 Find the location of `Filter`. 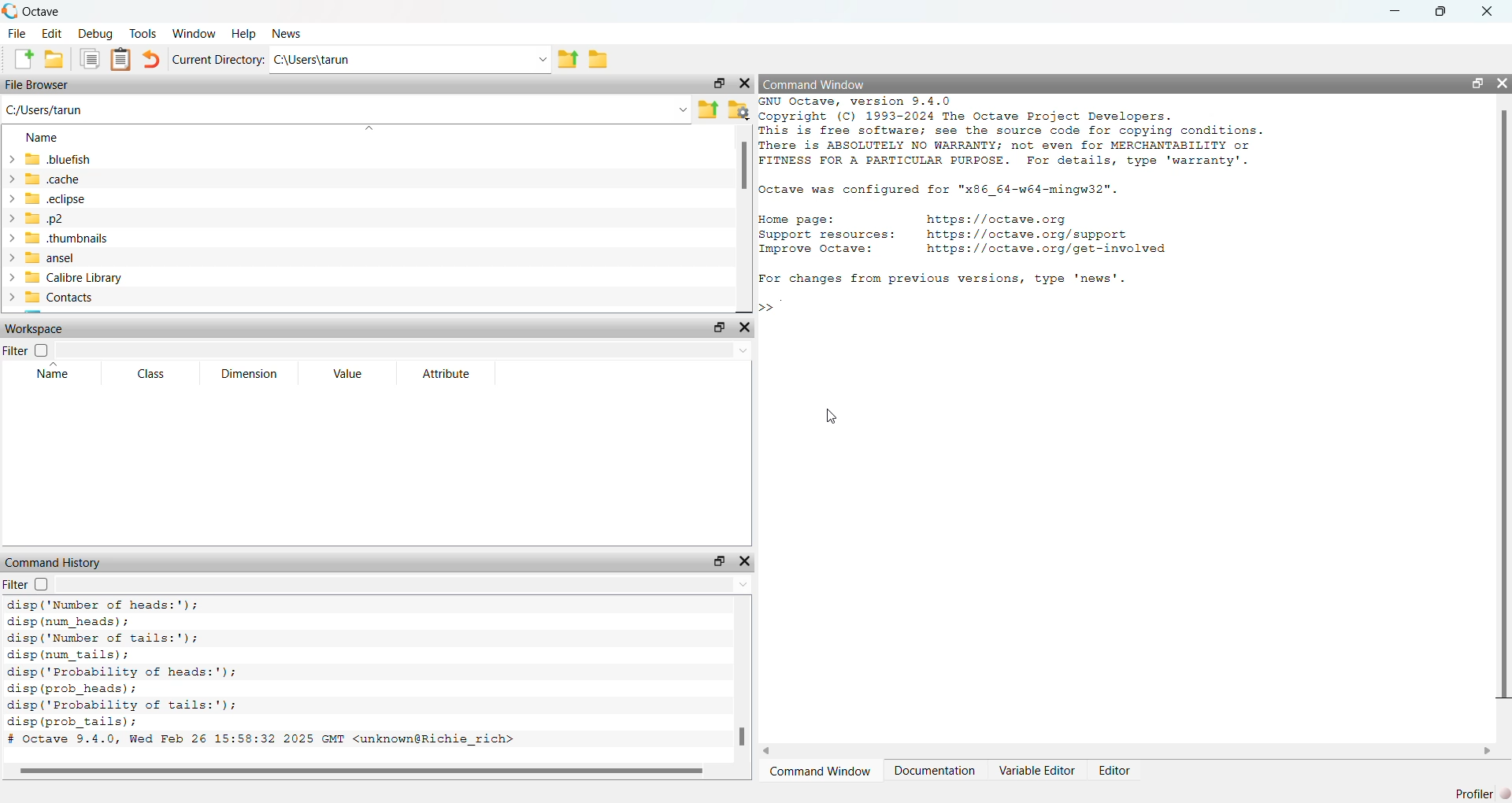

Filter is located at coordinates (26, 350).